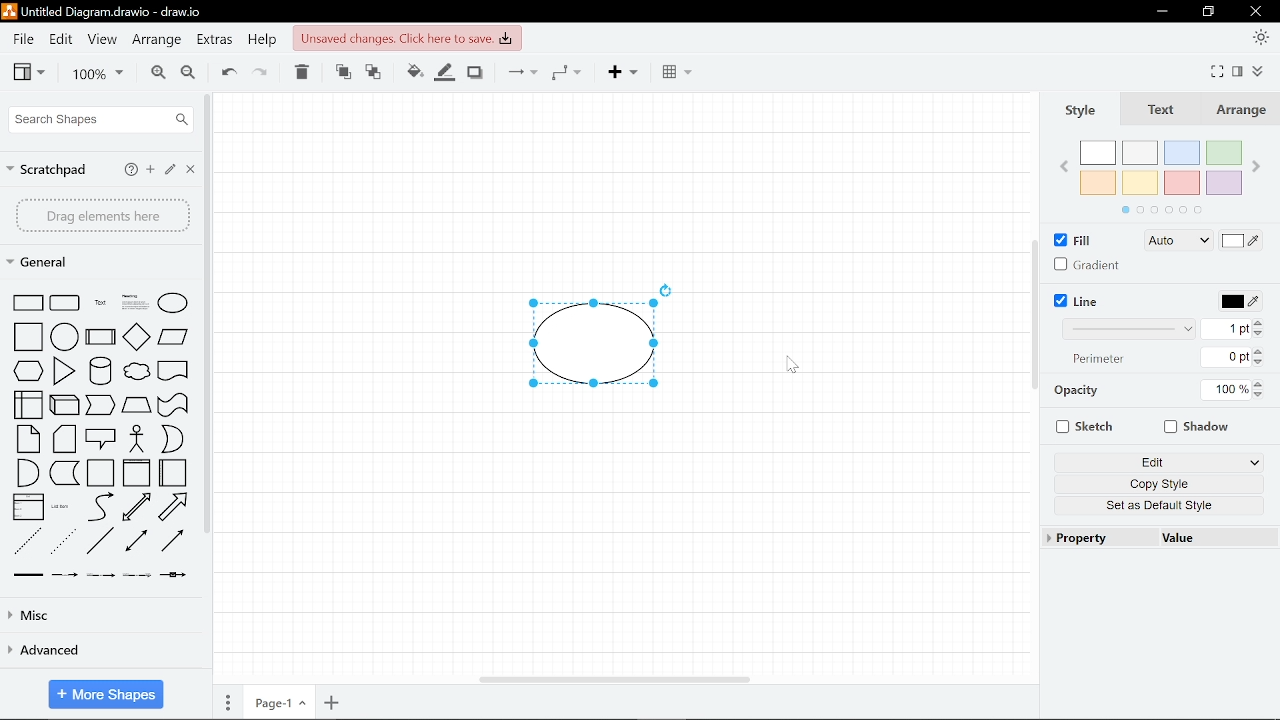 This screenshot has height=720, width=1280. What do you see at coordinates (94, 73) in the screenshot?
I see `` at bounding box center [94, 73].